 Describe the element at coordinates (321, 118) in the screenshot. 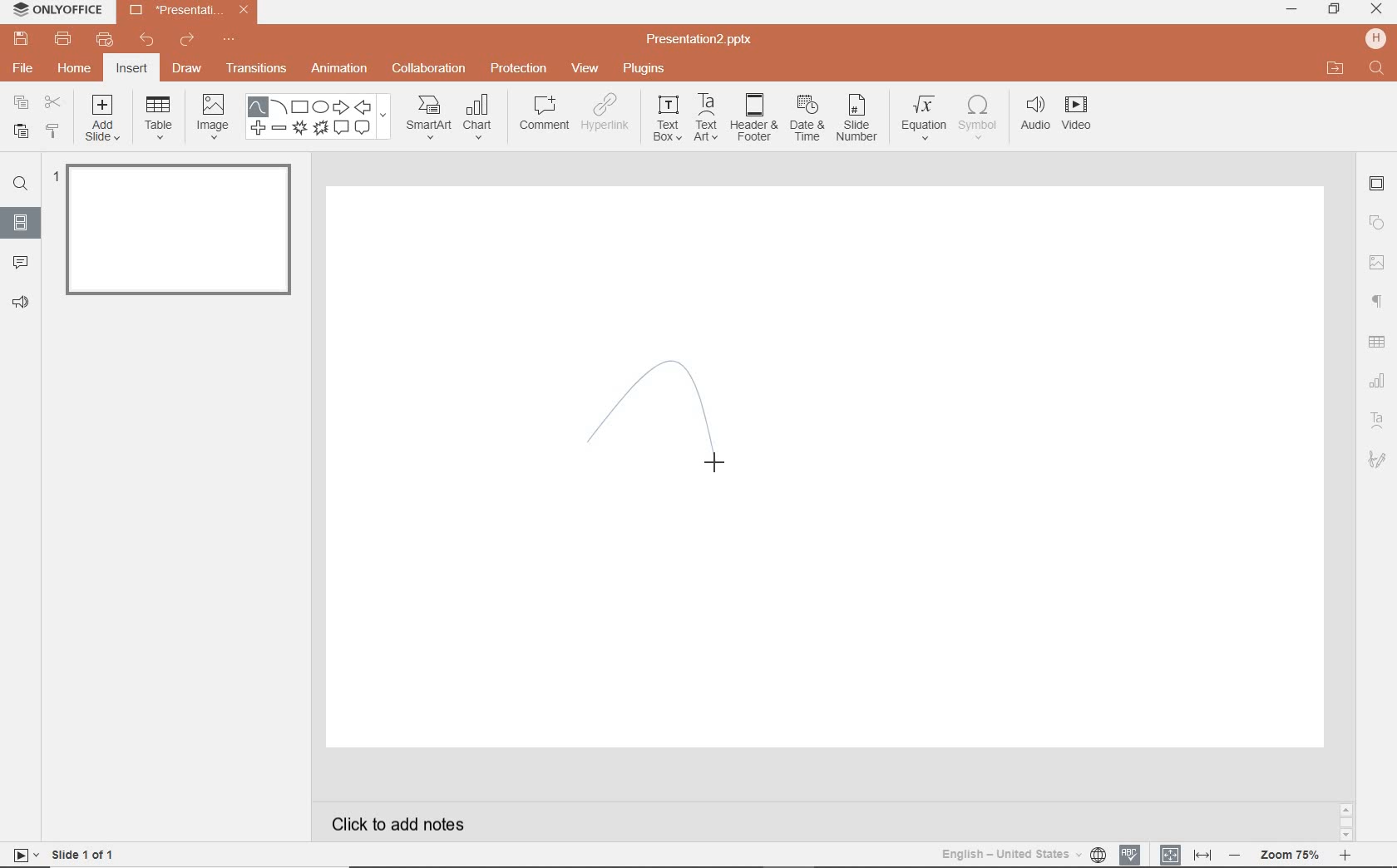

I see `SHAPES` at that location.